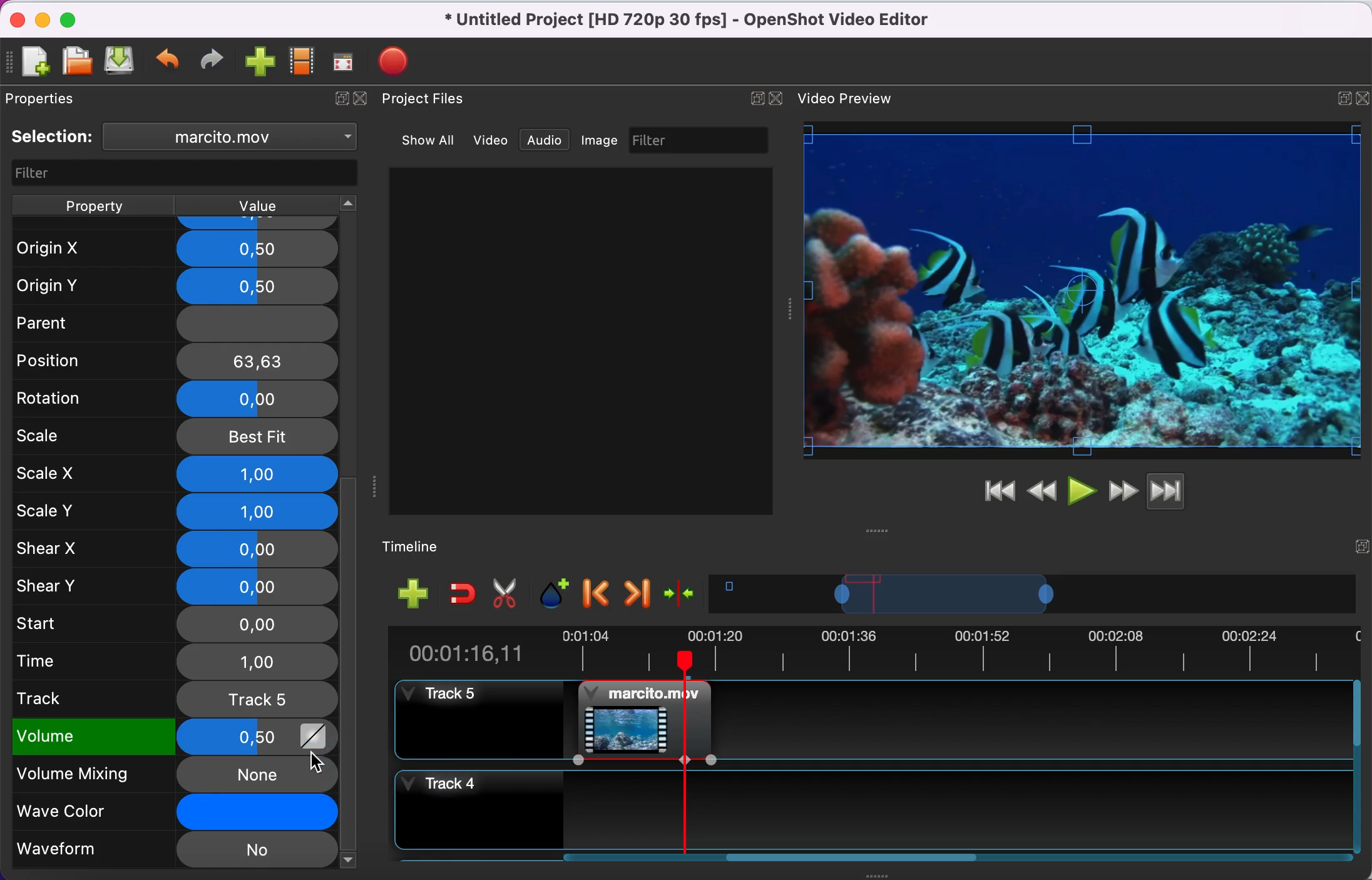  What do you see at coordinates (179, 172) in the screenshot?
I see `filter` at bounding box center [179, 172].